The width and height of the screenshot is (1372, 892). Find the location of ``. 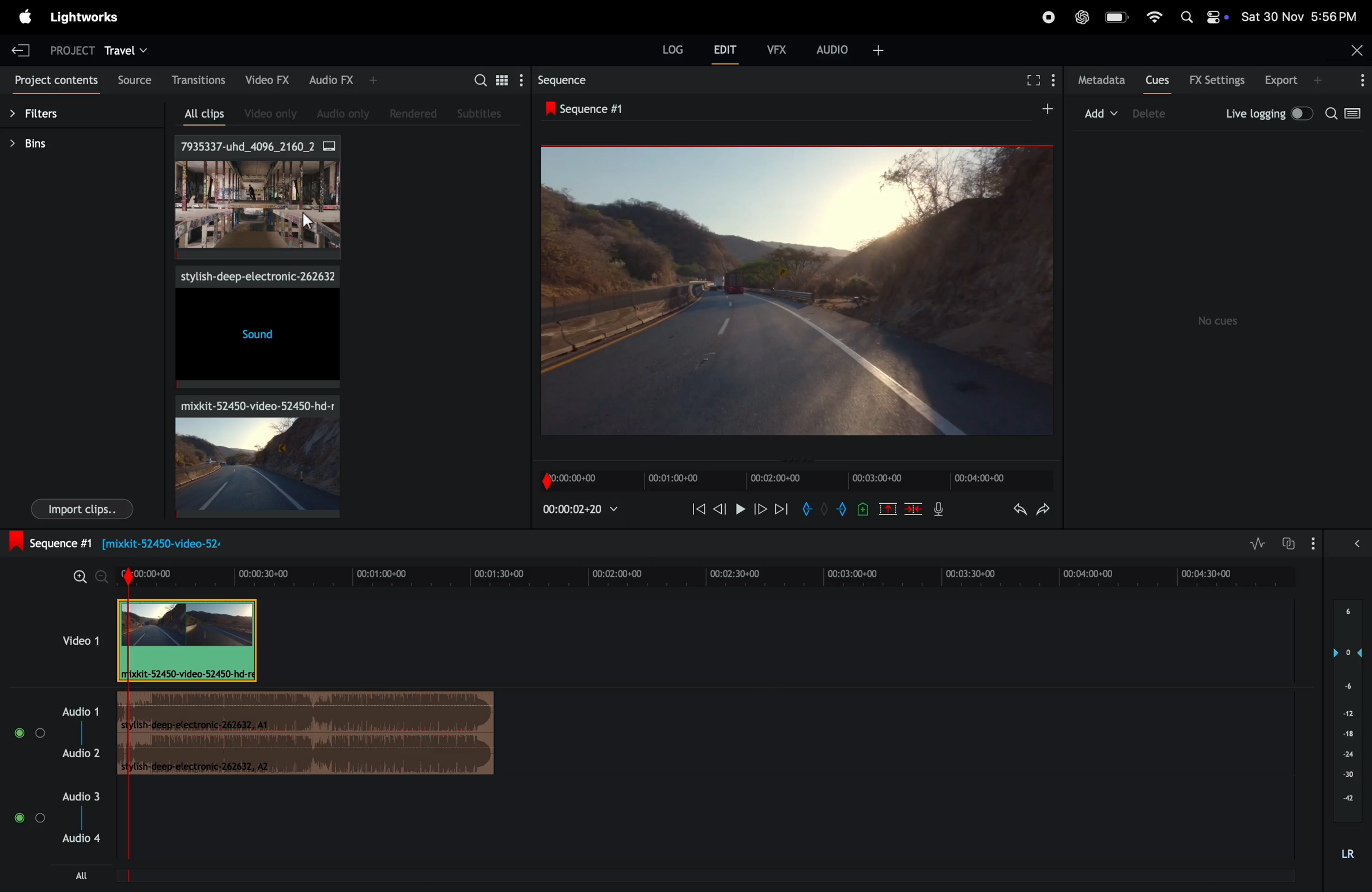

 is located at coordinates (309, 221).